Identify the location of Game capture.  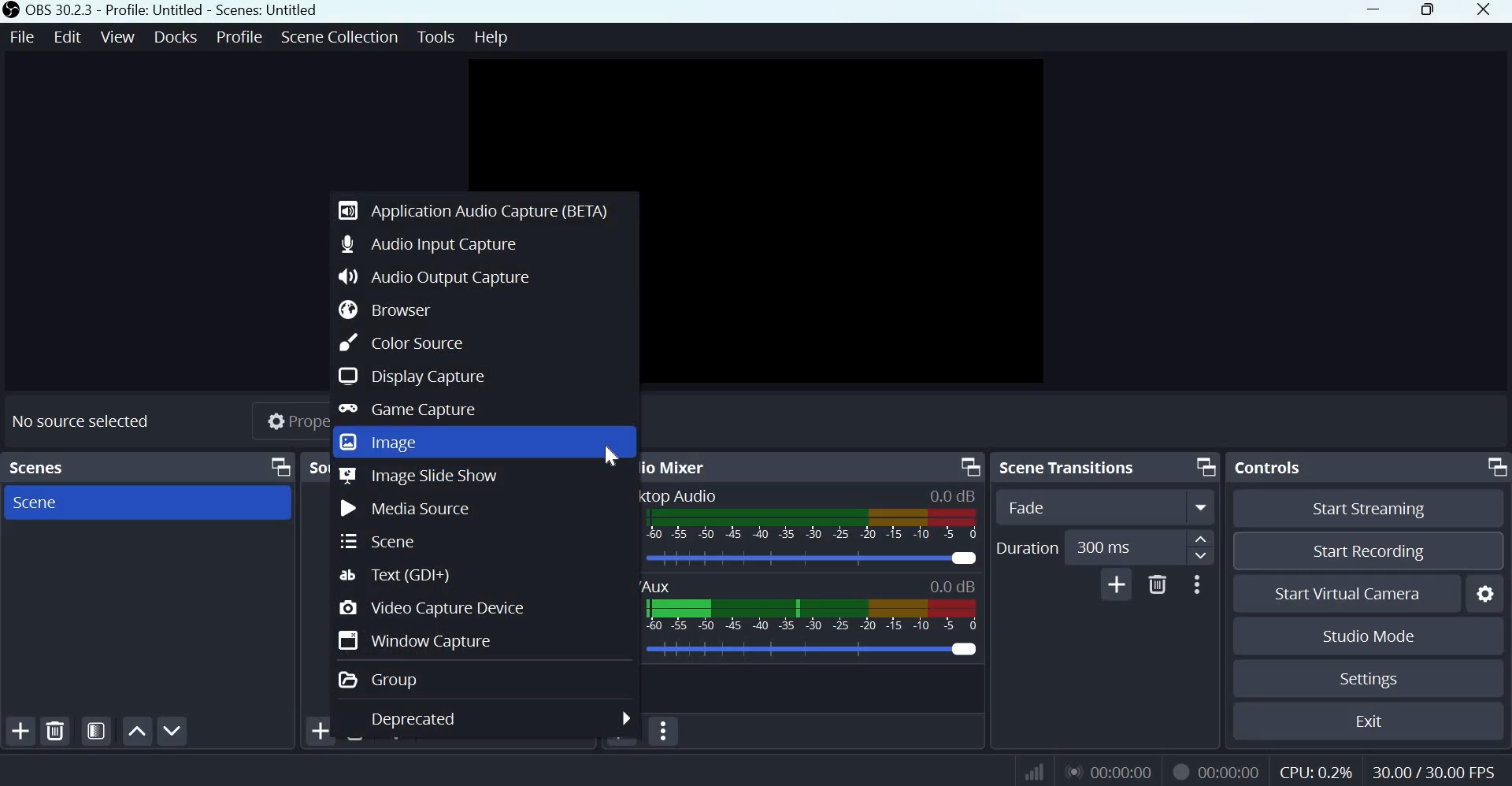
(406, 410).